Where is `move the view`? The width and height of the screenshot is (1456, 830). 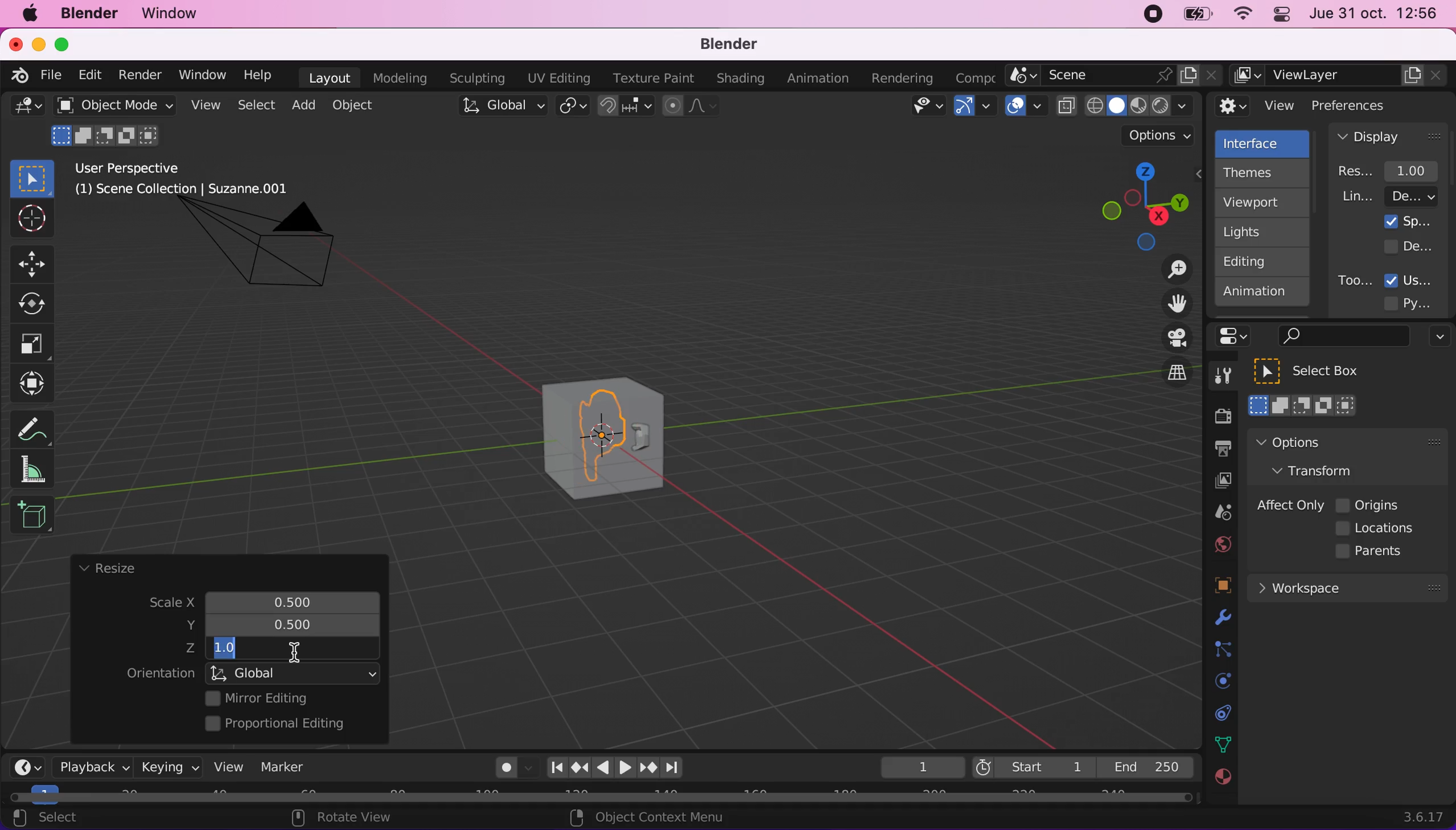
move the view is located at coordinates (1168, 304).